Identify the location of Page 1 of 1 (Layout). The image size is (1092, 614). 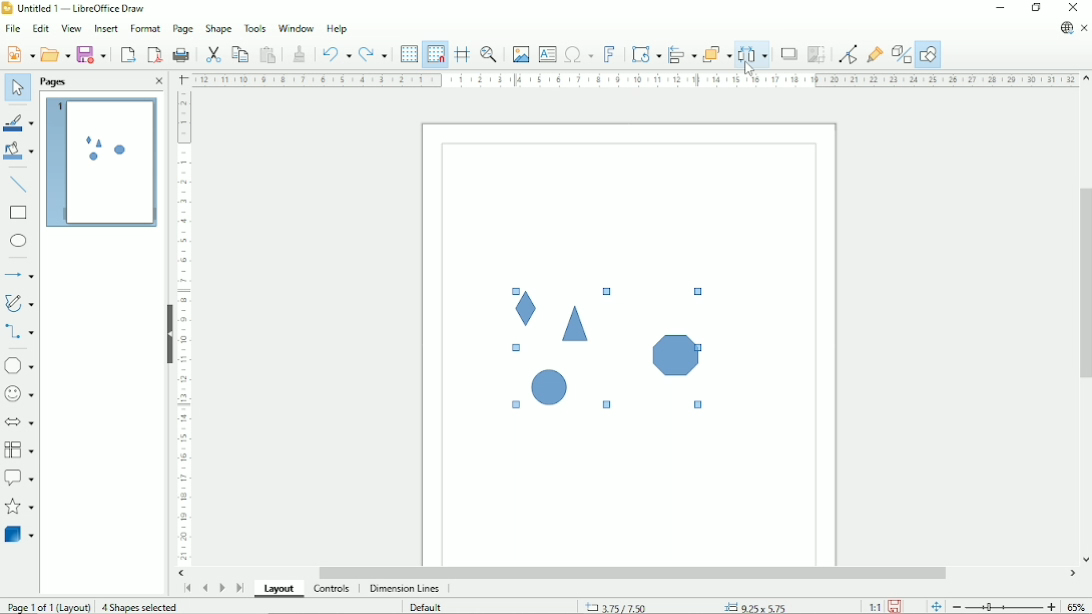
(48, 606).